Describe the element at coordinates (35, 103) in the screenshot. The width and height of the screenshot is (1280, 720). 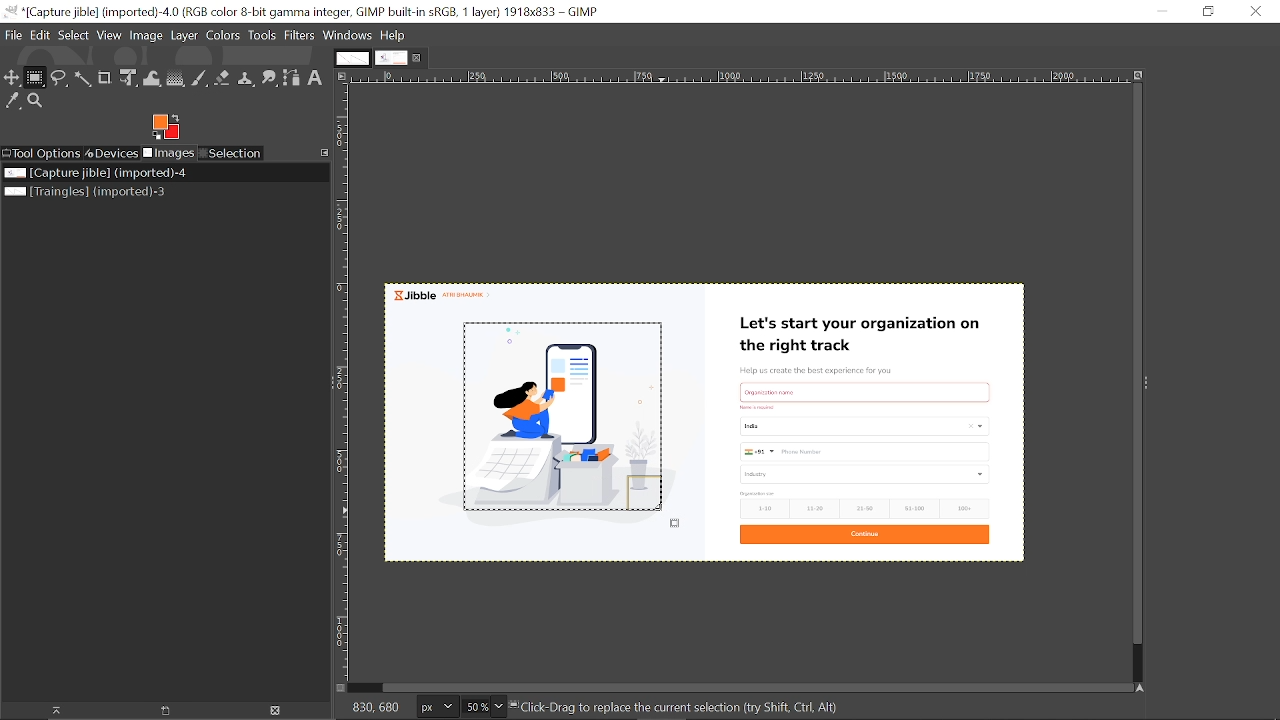
I see `Zoom` at that location.